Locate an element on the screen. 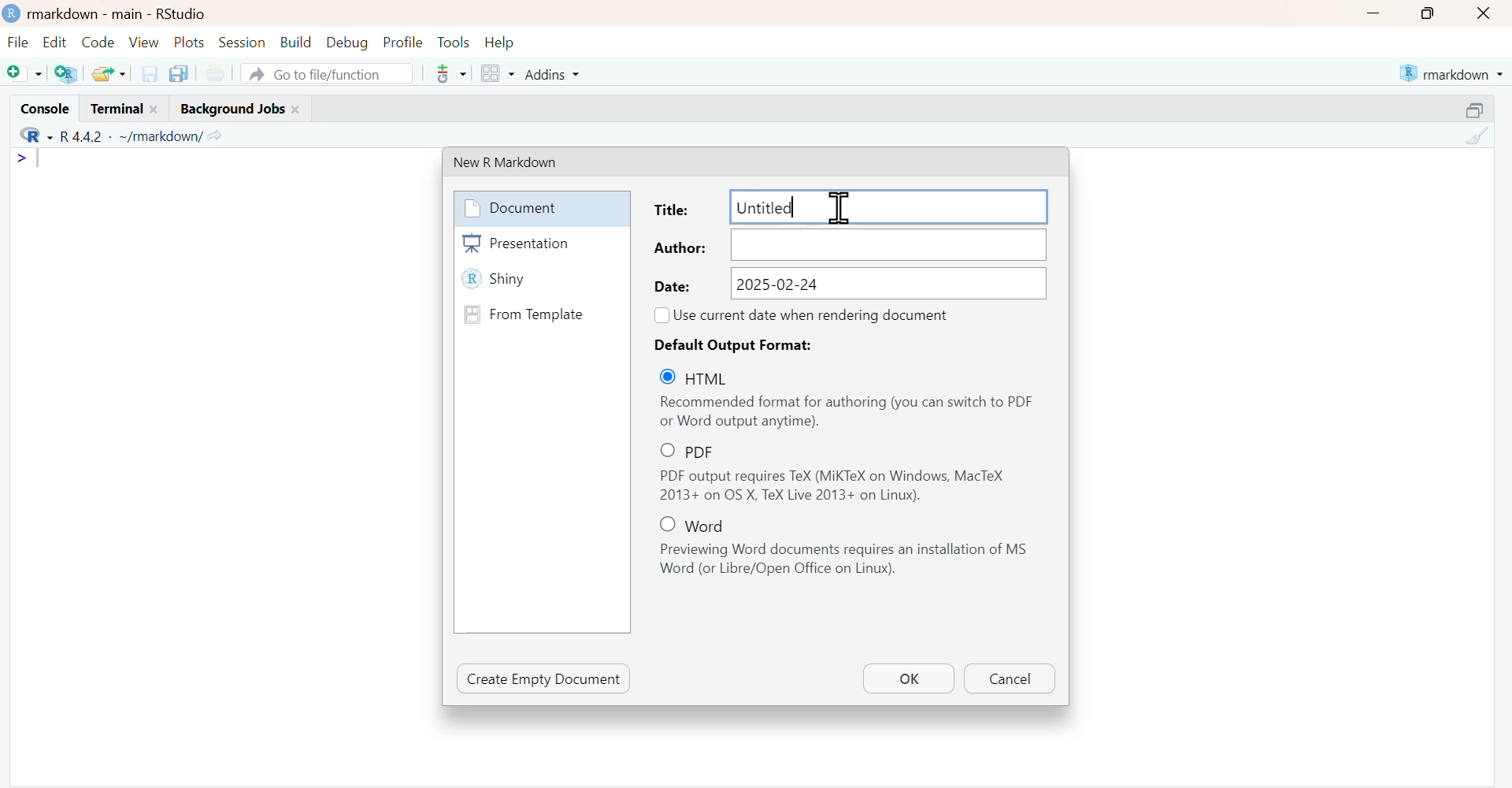  Presentation is located at coordinates (541, 243).